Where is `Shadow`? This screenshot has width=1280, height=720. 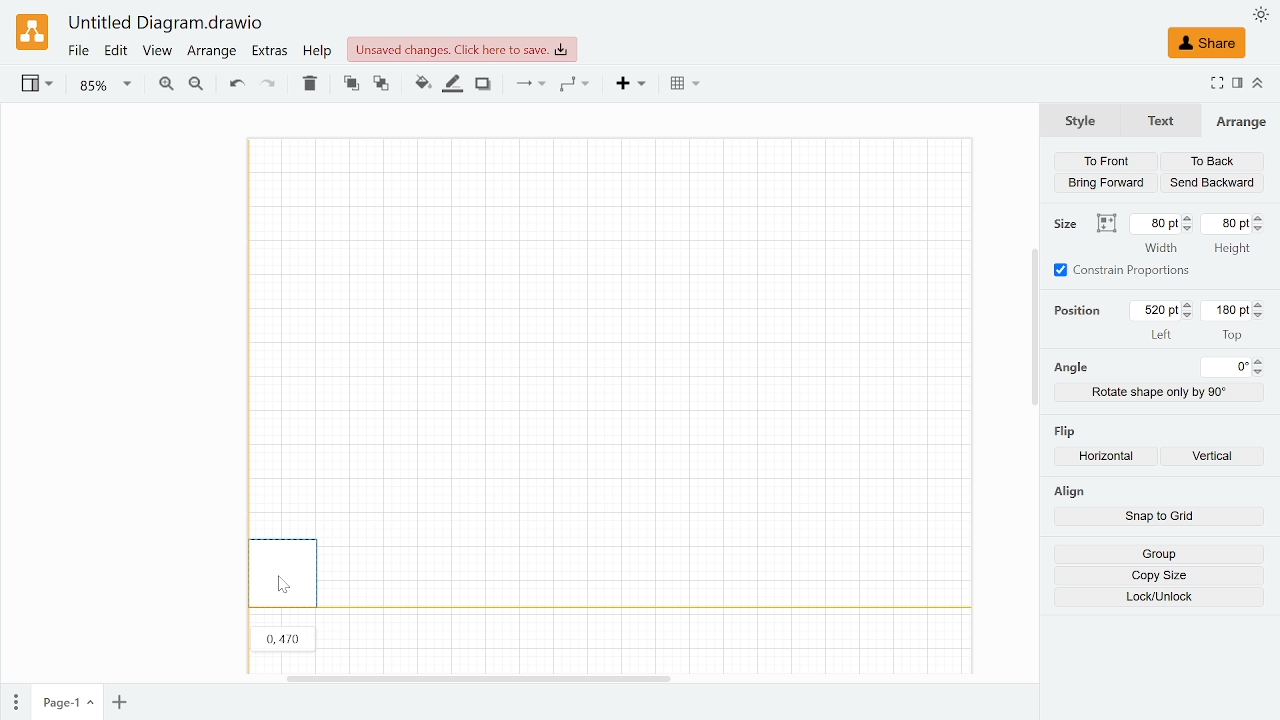
Shadow is located at coordinates (483, 85).